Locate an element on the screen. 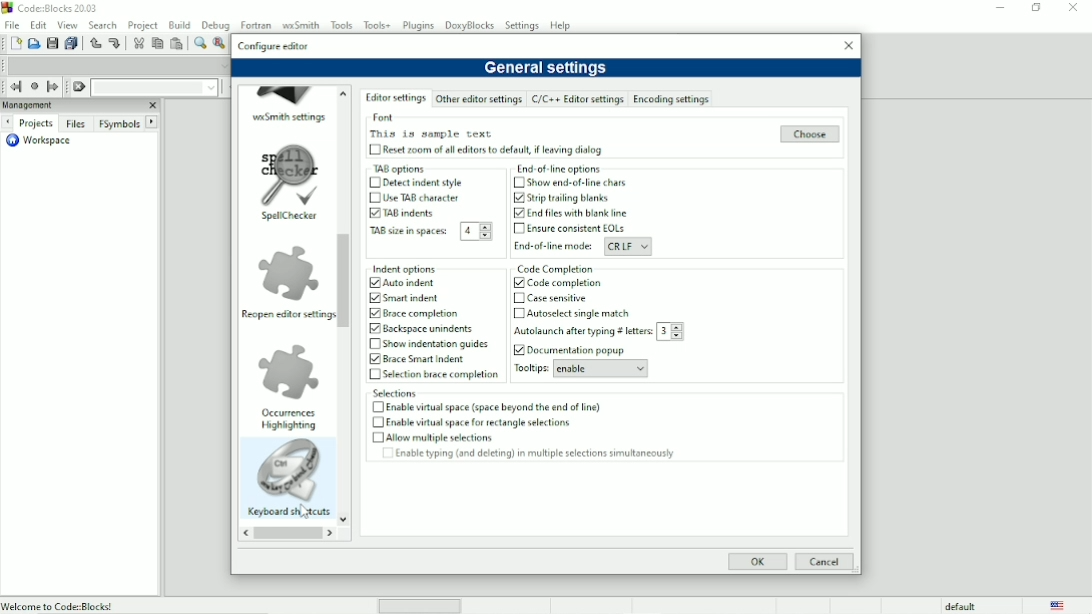  Project is located at coordinates (142, 24).